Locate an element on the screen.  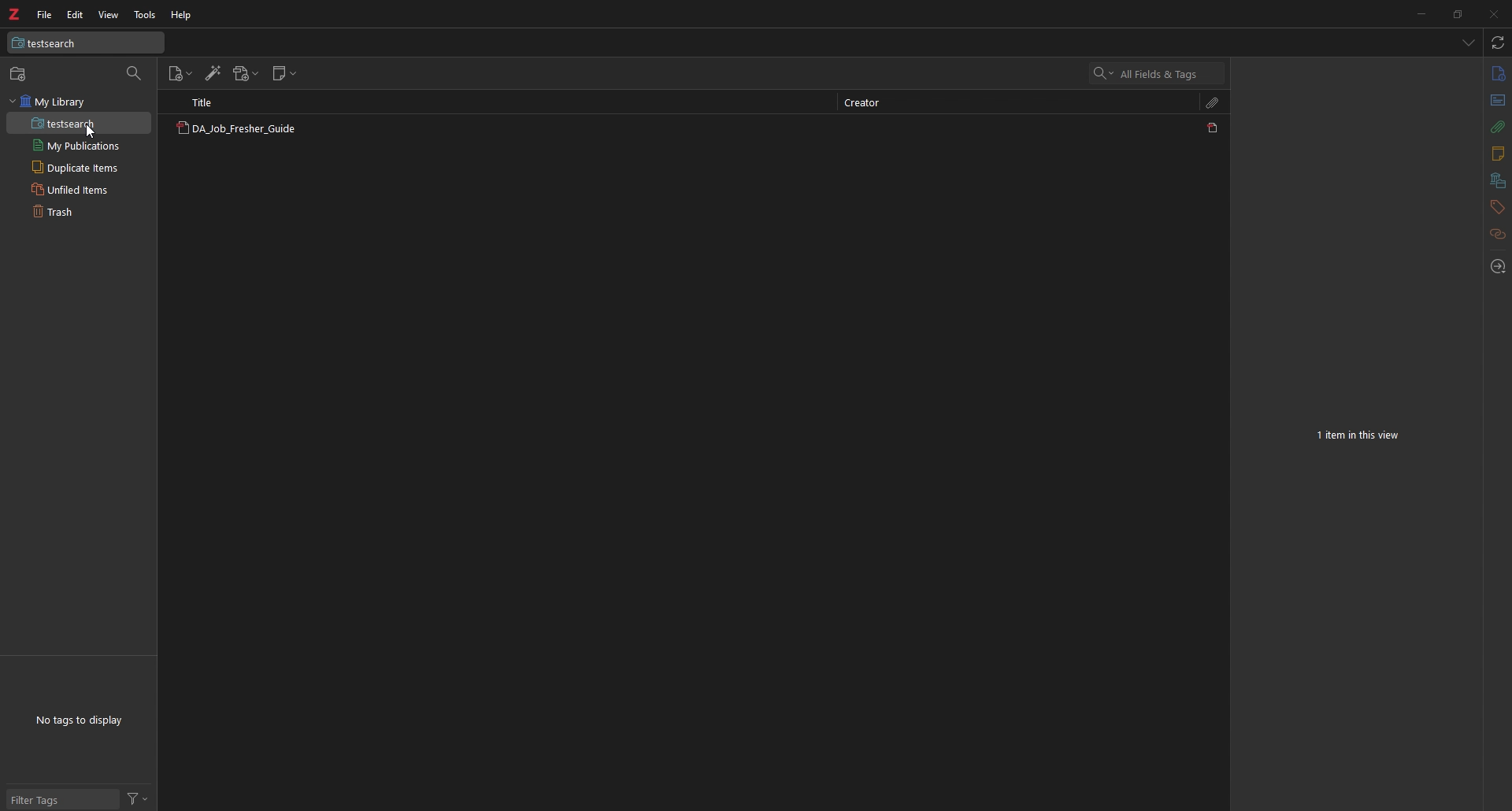
file is located at coordinates (46, 14).